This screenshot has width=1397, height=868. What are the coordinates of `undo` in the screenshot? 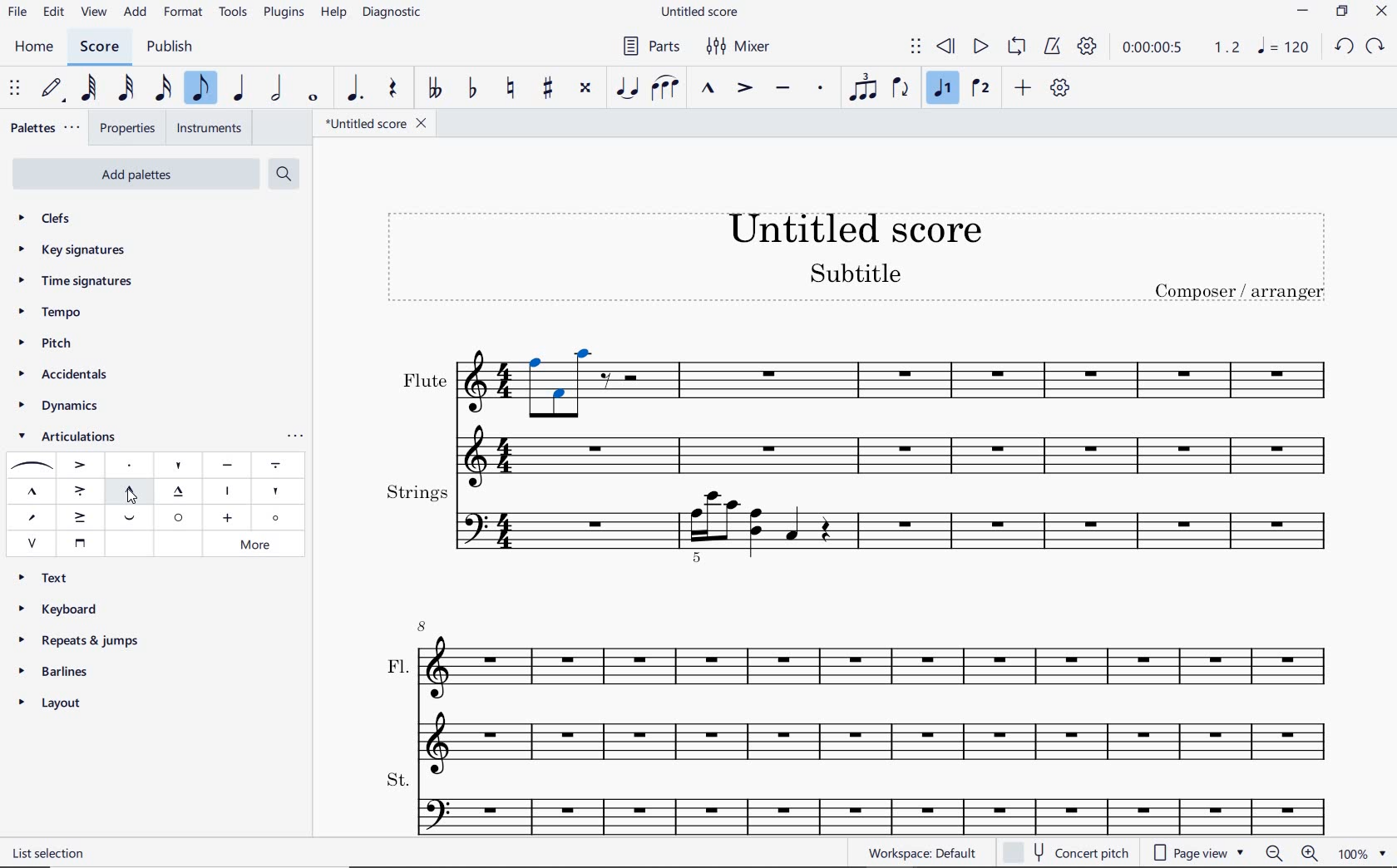 It's located at (1345, 47).